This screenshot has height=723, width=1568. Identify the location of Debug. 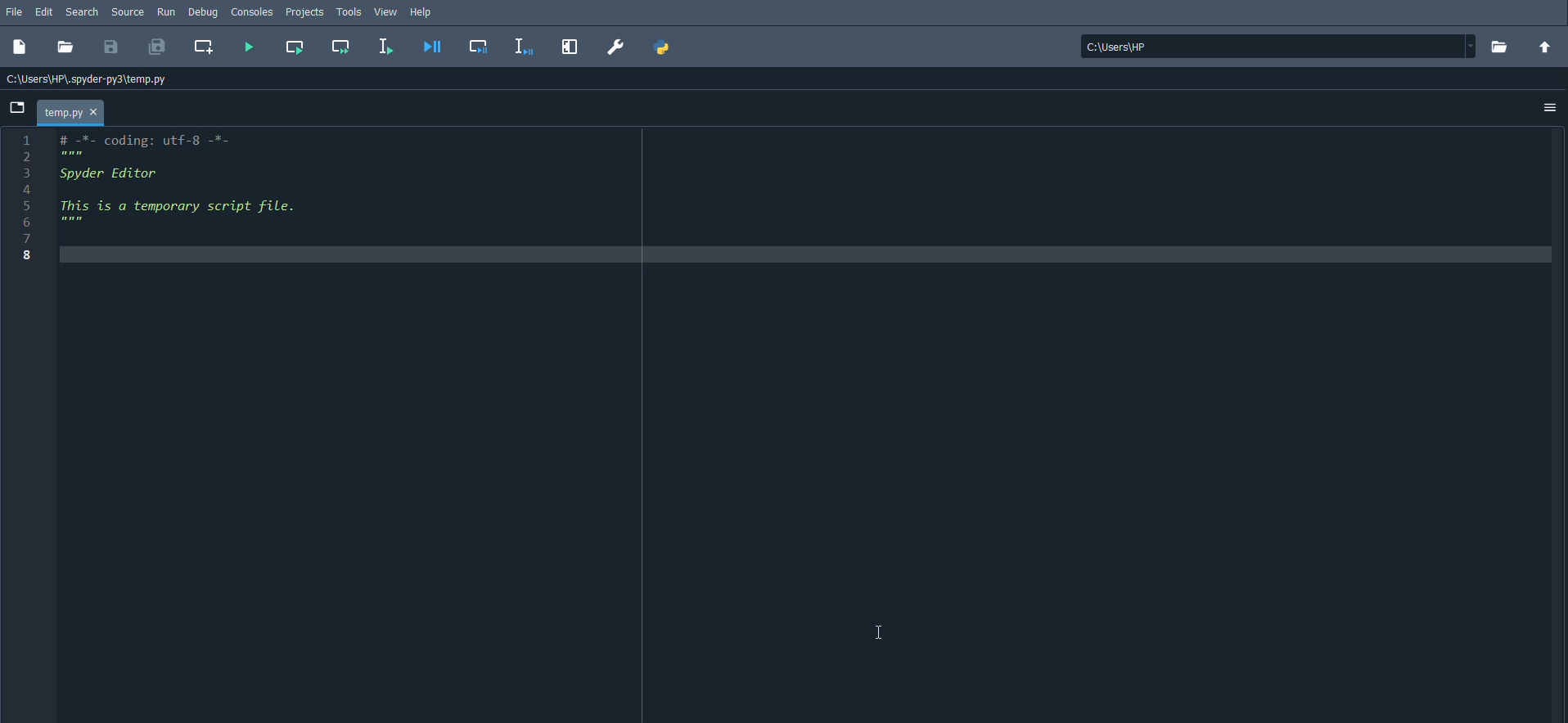
(206, 13).